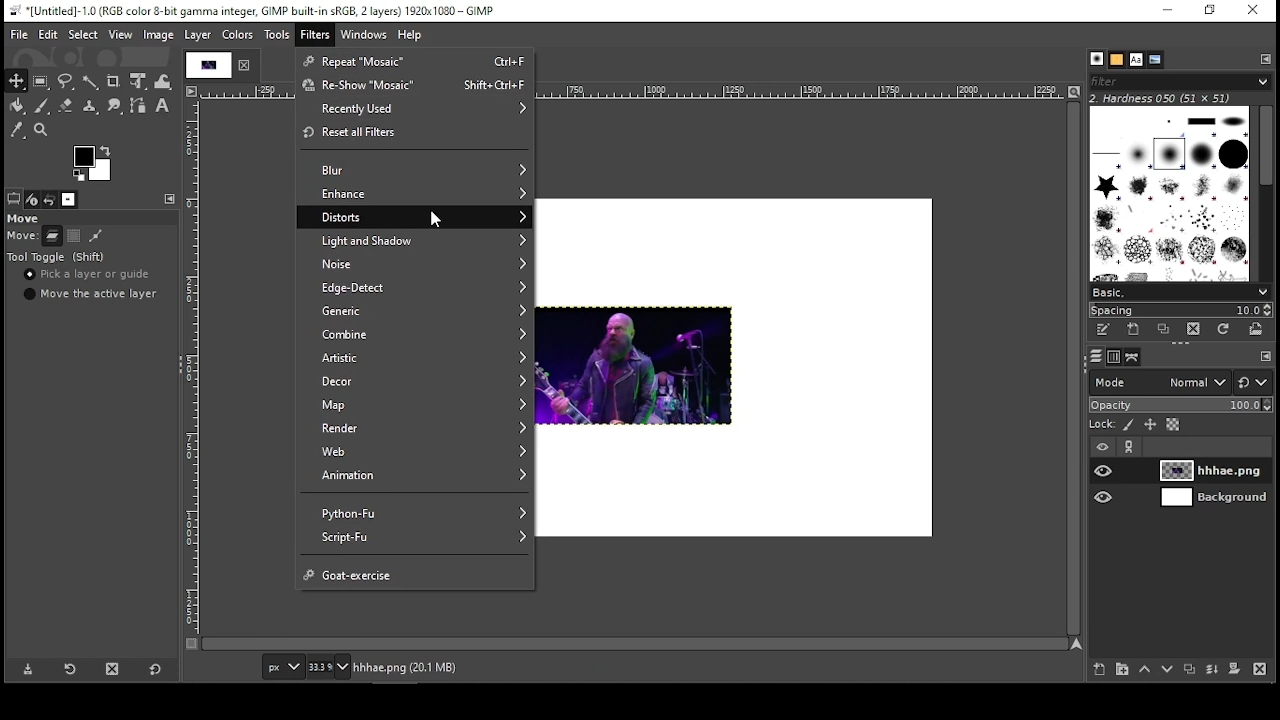  Describe the element at coordinates (1098, 447) in the screenshot. I see `layer visibility` at that location.